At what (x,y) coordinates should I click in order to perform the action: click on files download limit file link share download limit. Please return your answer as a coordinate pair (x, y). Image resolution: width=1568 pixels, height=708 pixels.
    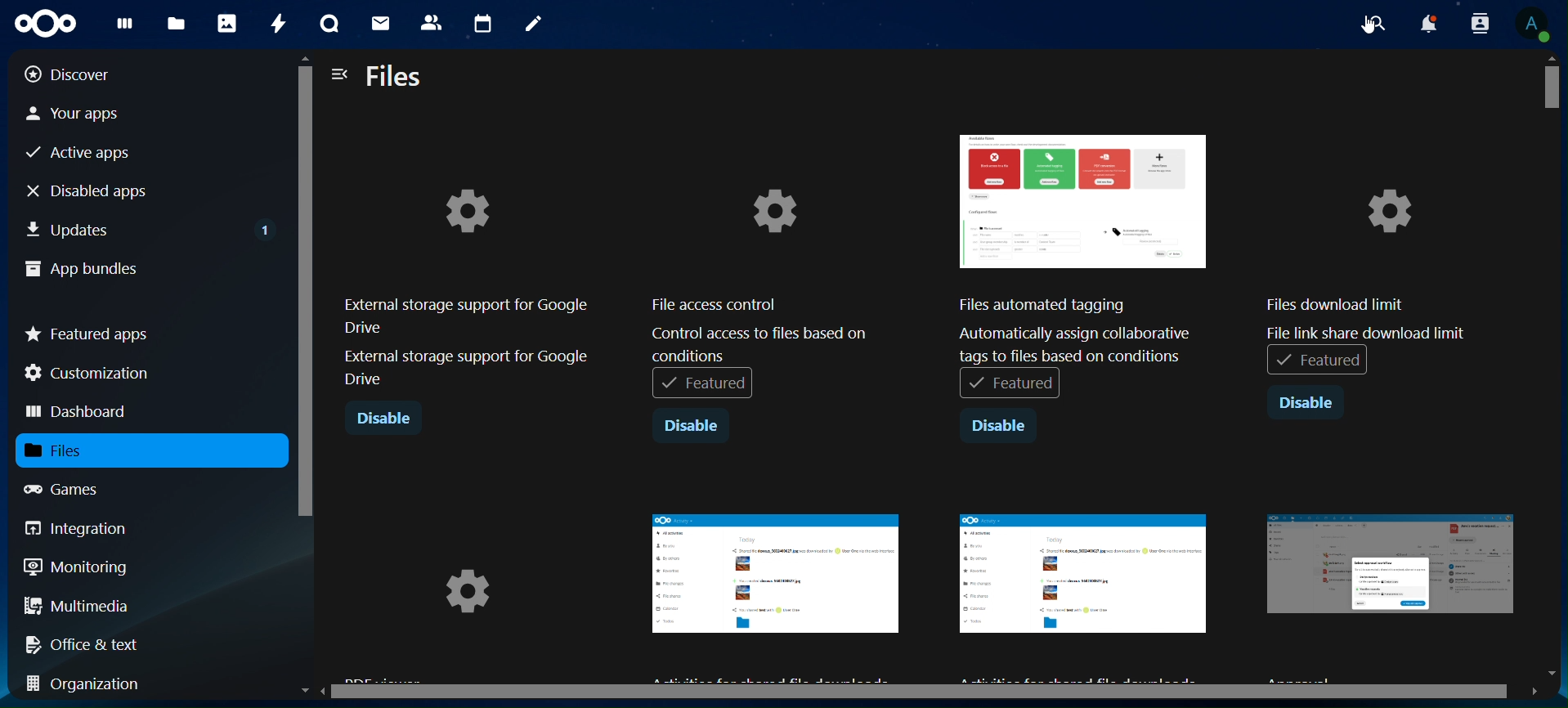
    Looking at the image, I should click on (1366, 256).